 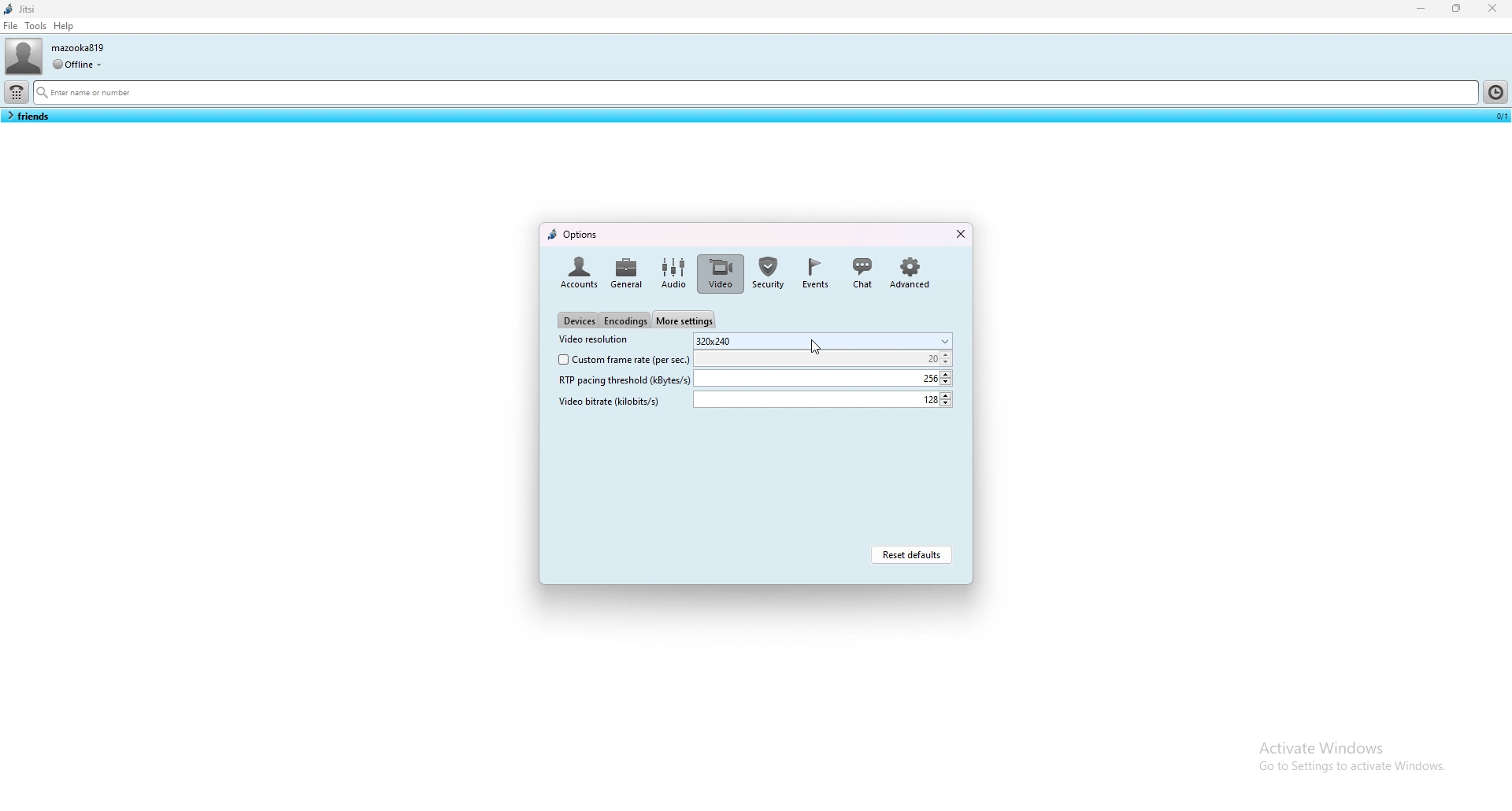 I want to click on tools, so click(x=35, y=25).